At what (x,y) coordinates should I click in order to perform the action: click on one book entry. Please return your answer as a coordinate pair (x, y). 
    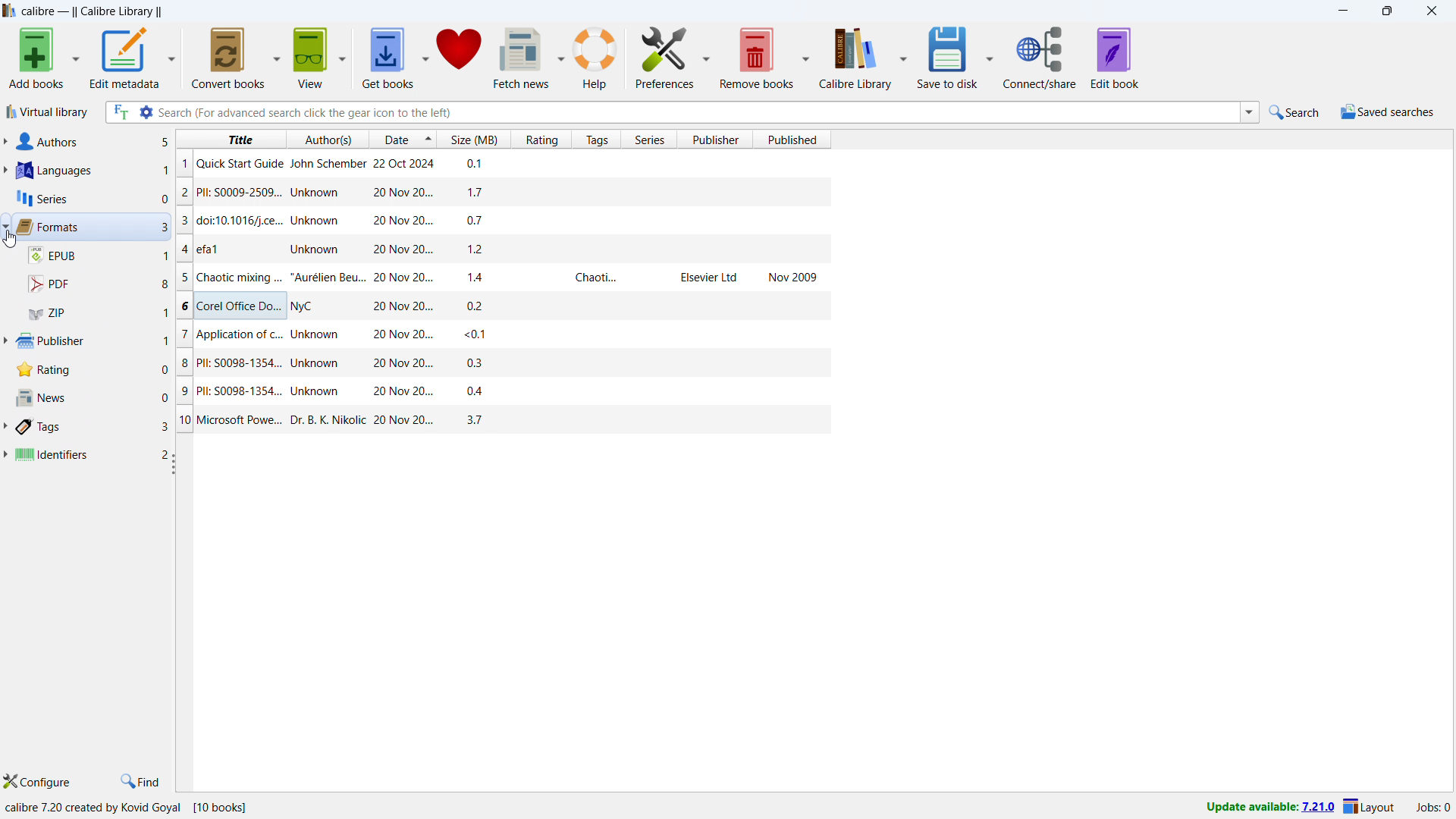
    Looking at the image, I should click on (499, 277).